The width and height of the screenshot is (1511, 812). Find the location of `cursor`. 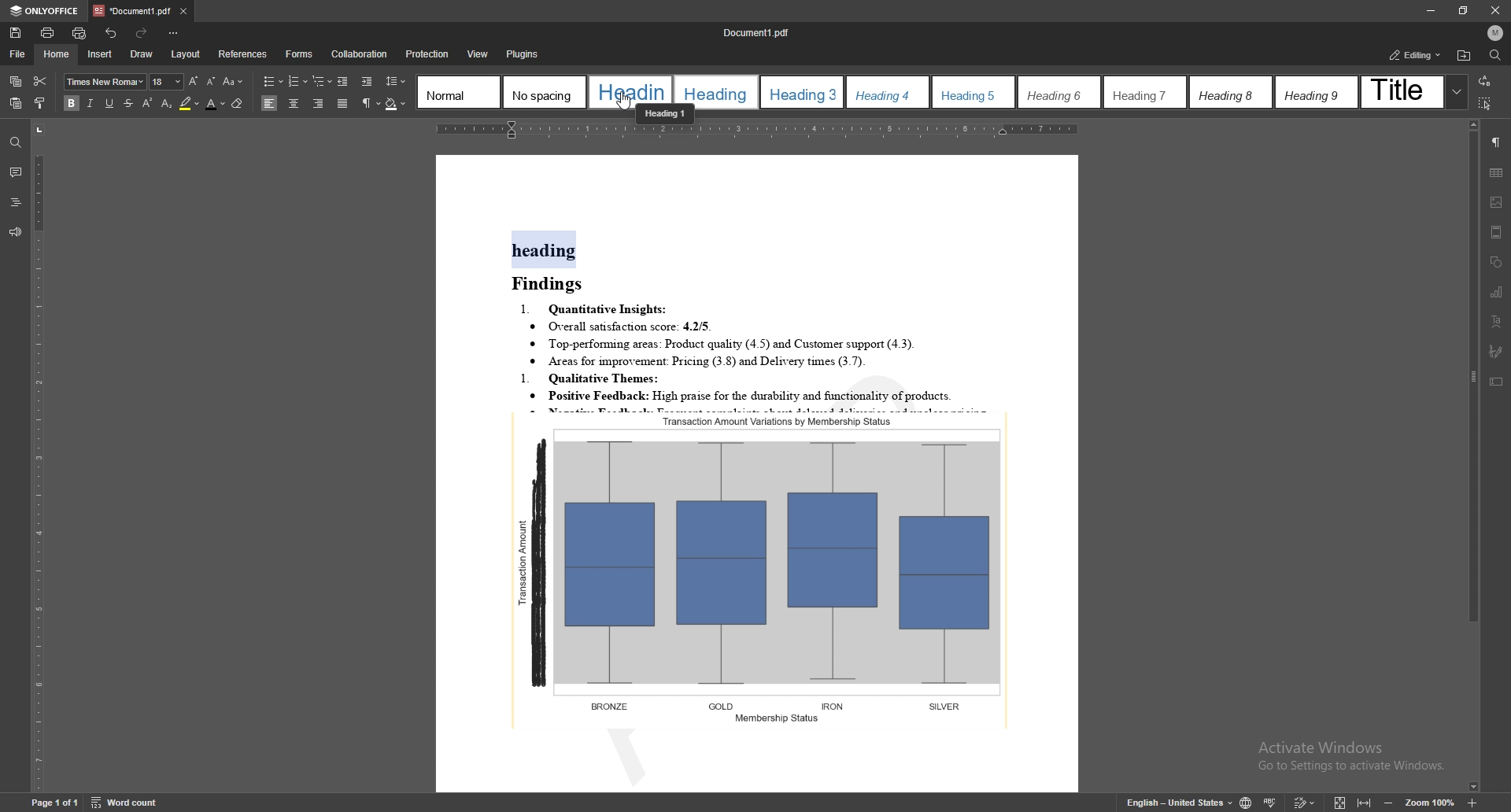

cursor is located at coordinates (620, 101).